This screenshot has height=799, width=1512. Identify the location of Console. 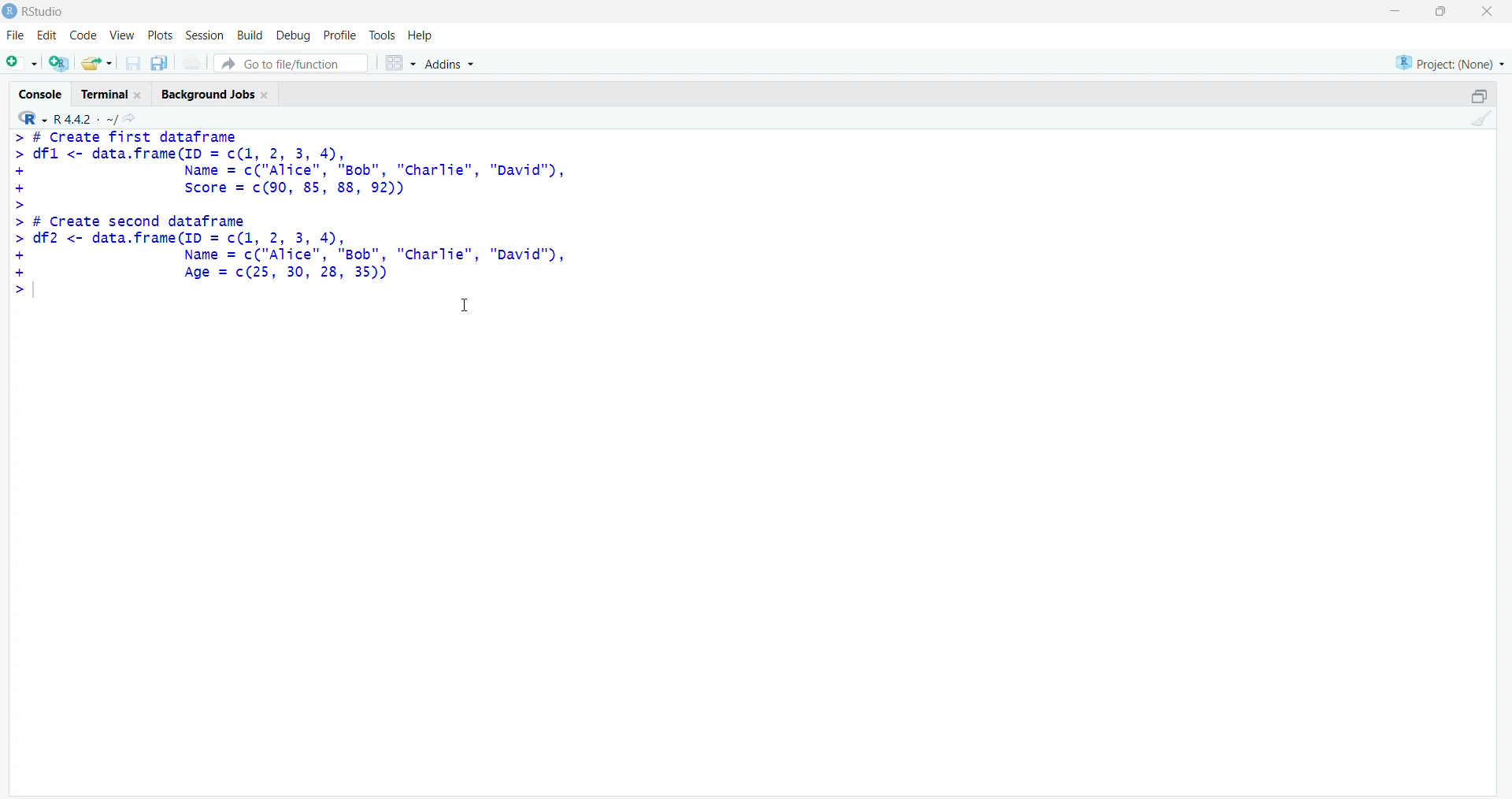
(41, 95).